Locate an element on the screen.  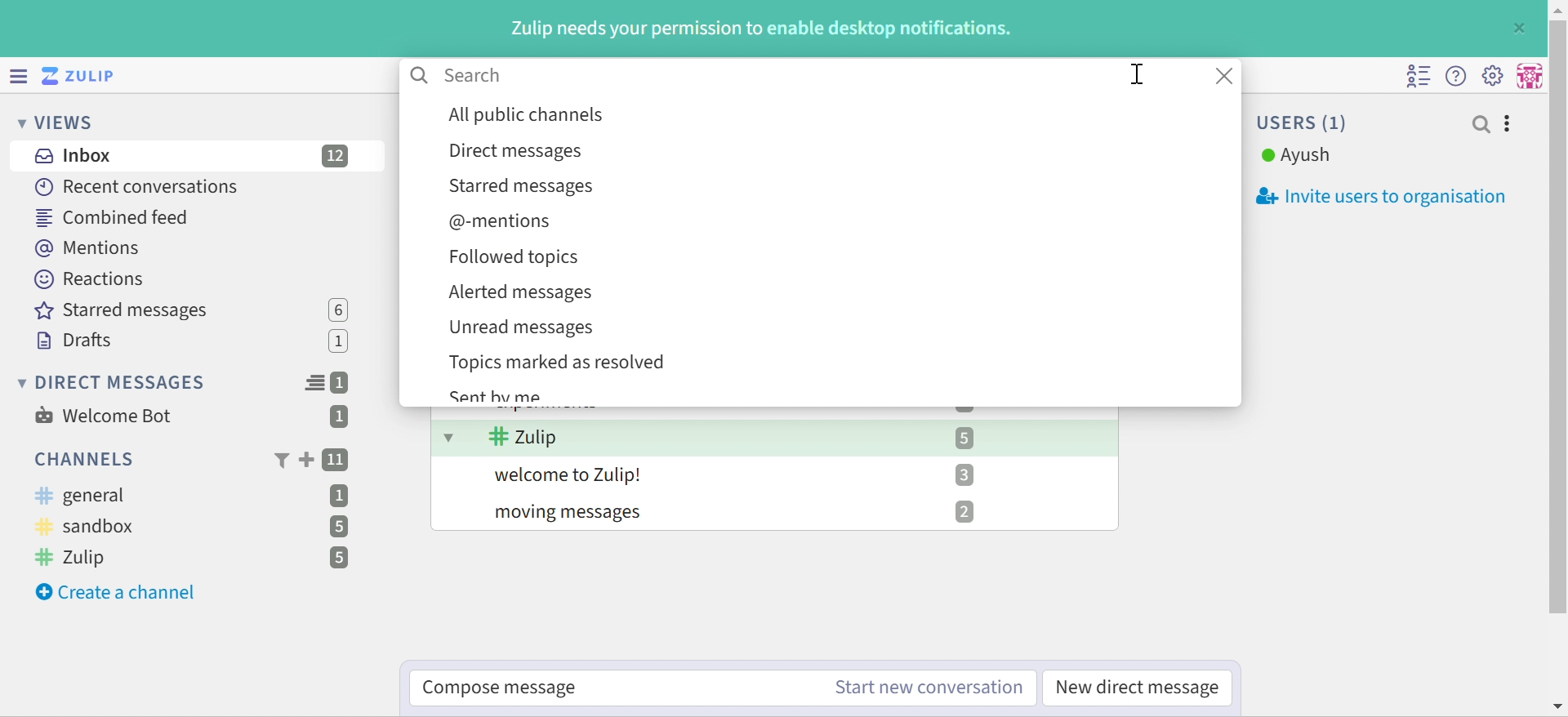
Topics marked as resolved is located at coordinates (559, 363).